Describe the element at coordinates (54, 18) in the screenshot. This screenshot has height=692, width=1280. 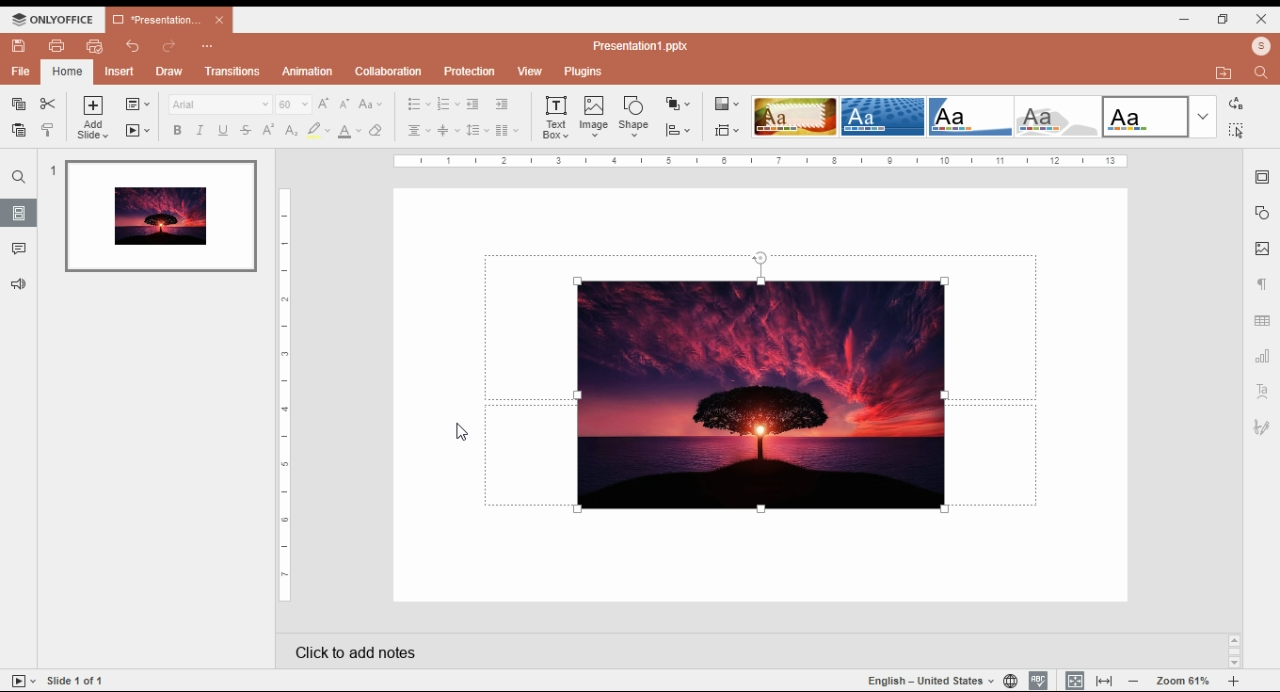
I see `icon` at that location.